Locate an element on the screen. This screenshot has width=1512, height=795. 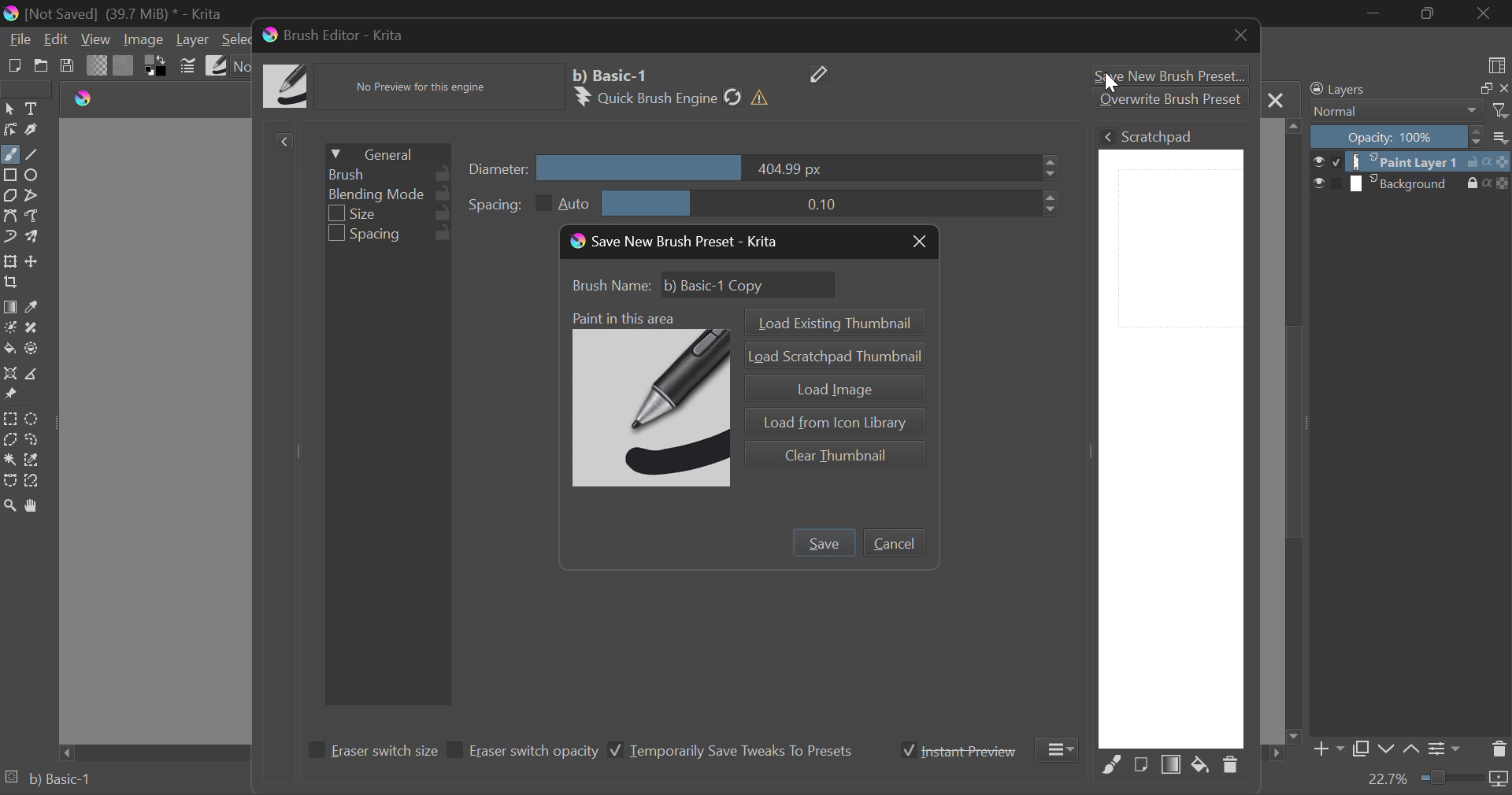
No Preview Available is located at coordinates (425, 87).